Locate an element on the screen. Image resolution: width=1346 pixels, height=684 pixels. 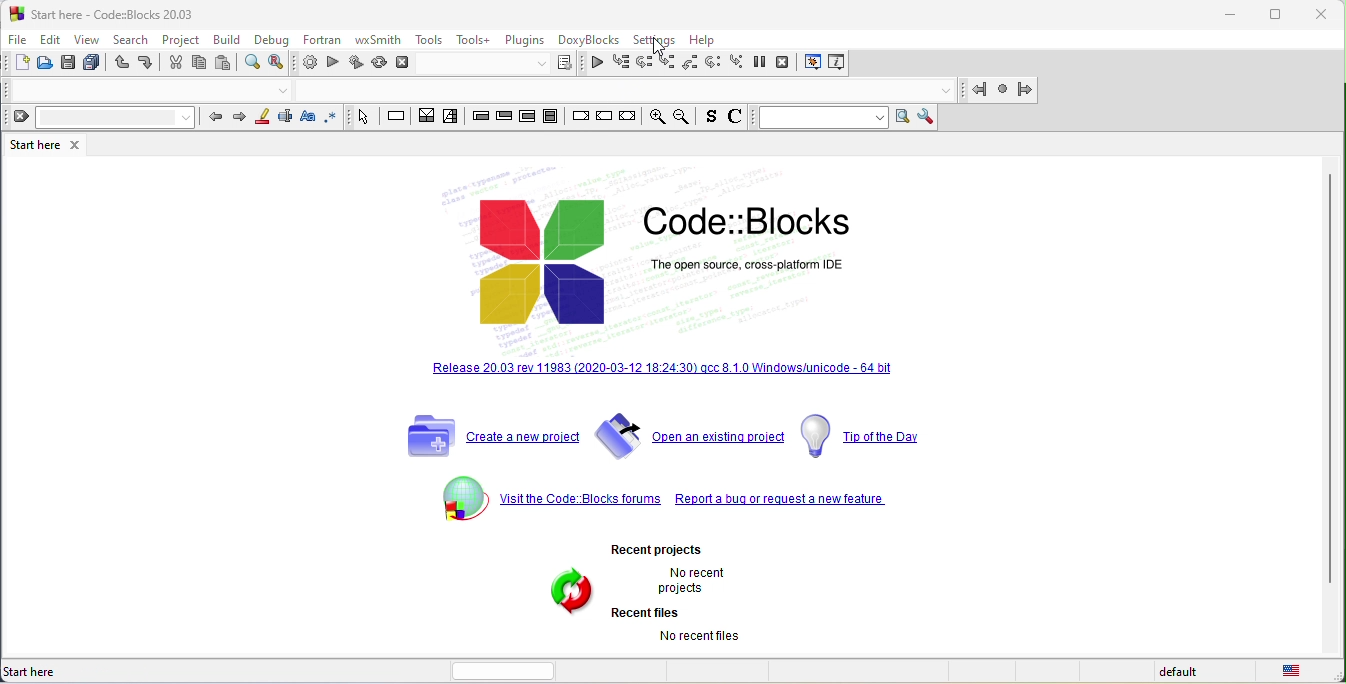
source is located at coordinates (709, 118).